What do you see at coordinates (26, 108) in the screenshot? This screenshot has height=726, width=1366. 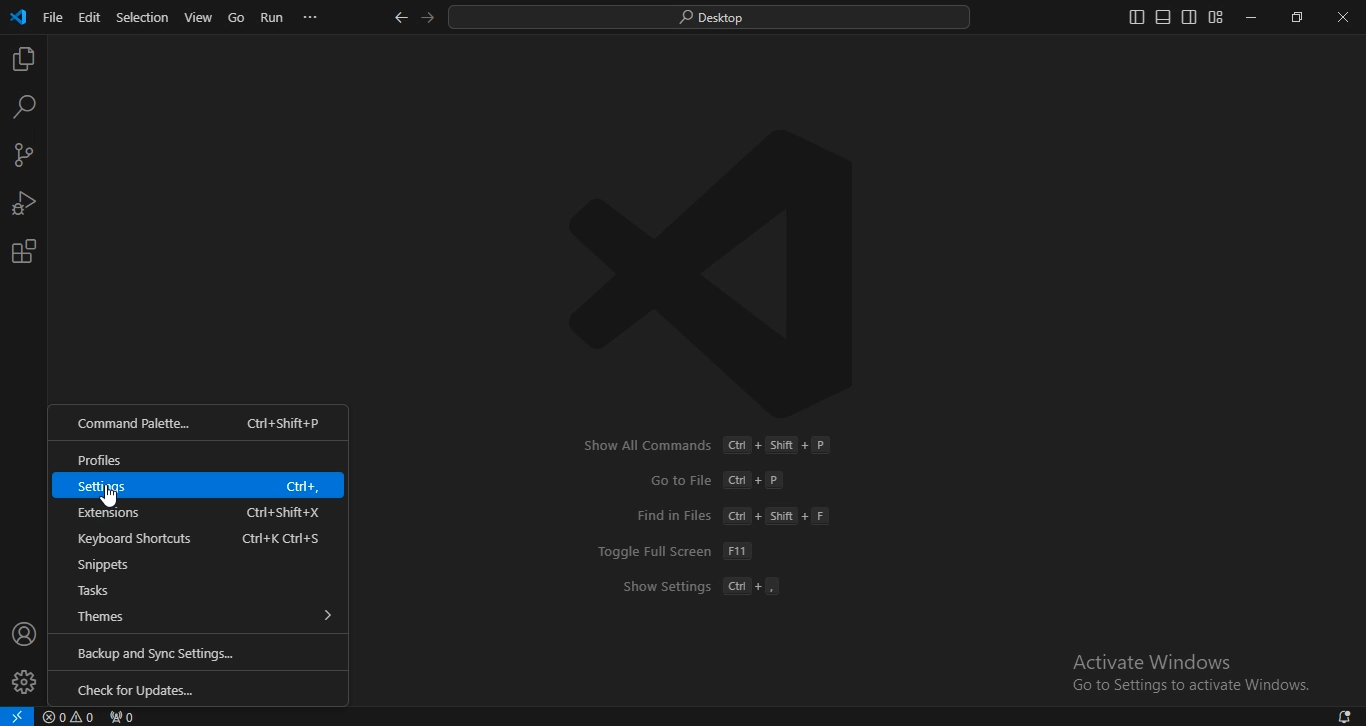 I see `search` at bounding box center [26, 108].